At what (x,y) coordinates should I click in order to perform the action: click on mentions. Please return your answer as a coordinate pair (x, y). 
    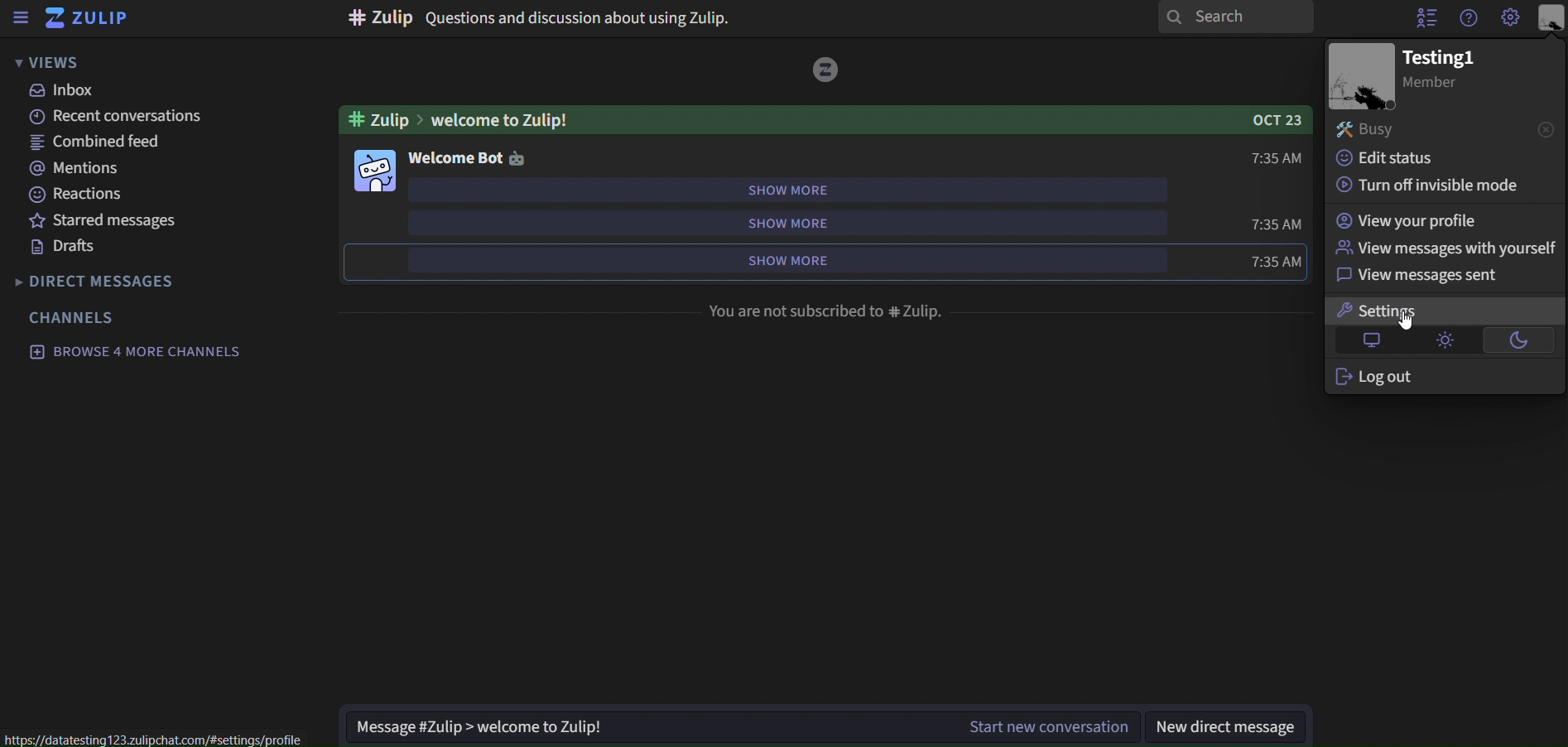
    Looking at the image, I should click on (71, 169).